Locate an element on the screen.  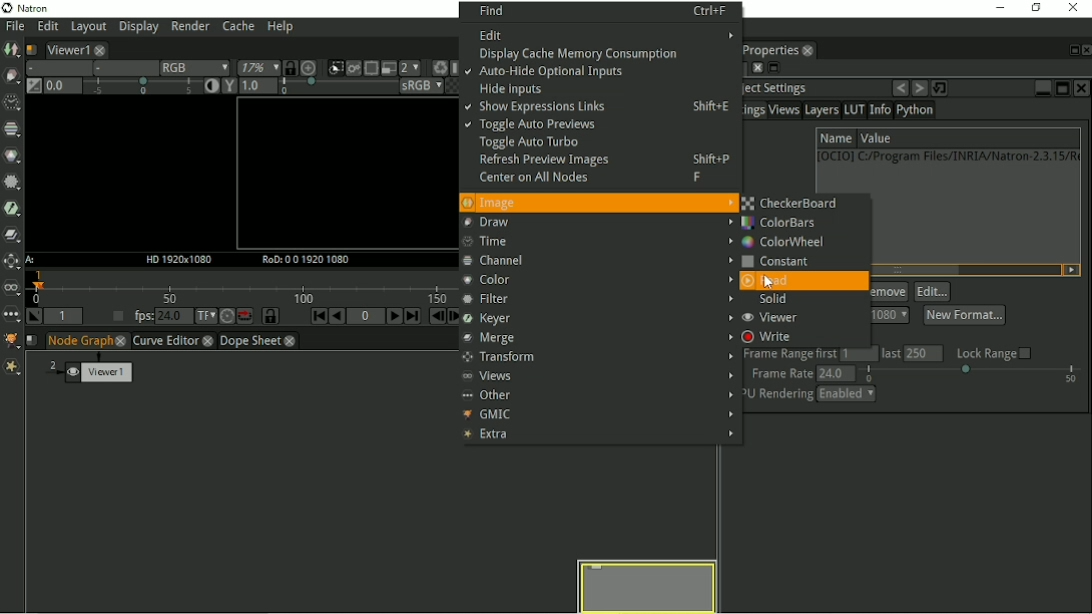
Colorbars is located at coordinates (784, 222).